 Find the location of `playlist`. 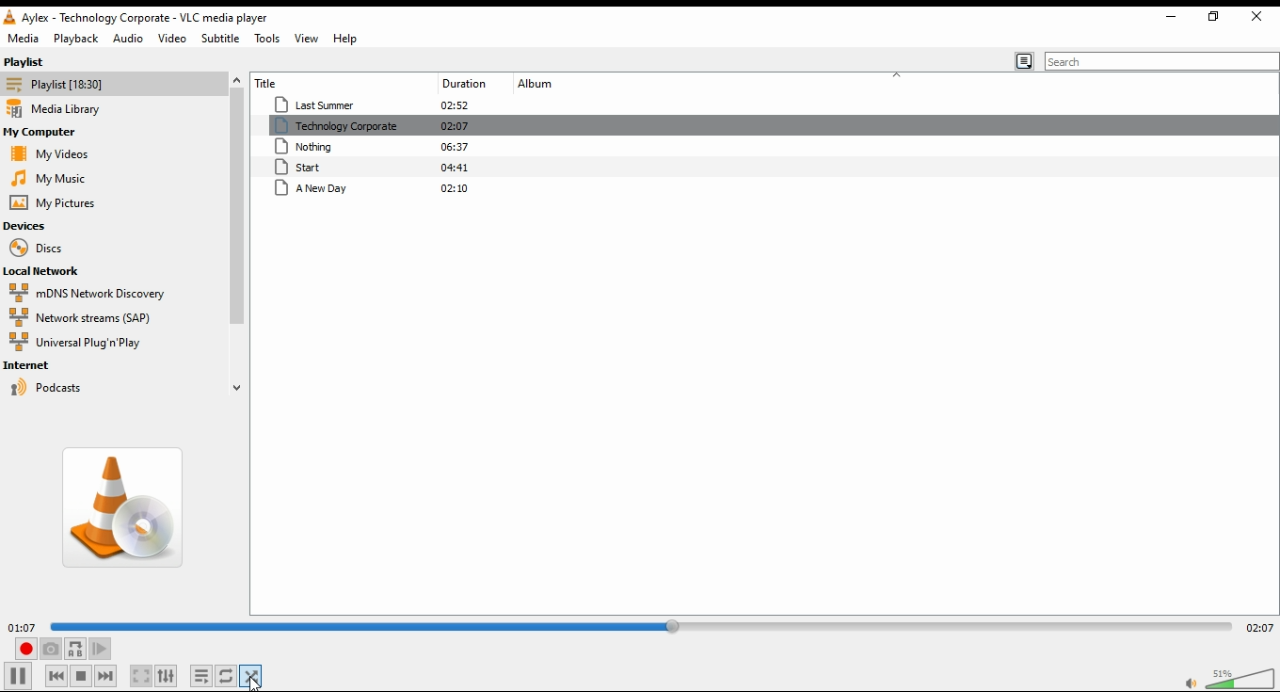

playlist is located at coordinates (41, 61).